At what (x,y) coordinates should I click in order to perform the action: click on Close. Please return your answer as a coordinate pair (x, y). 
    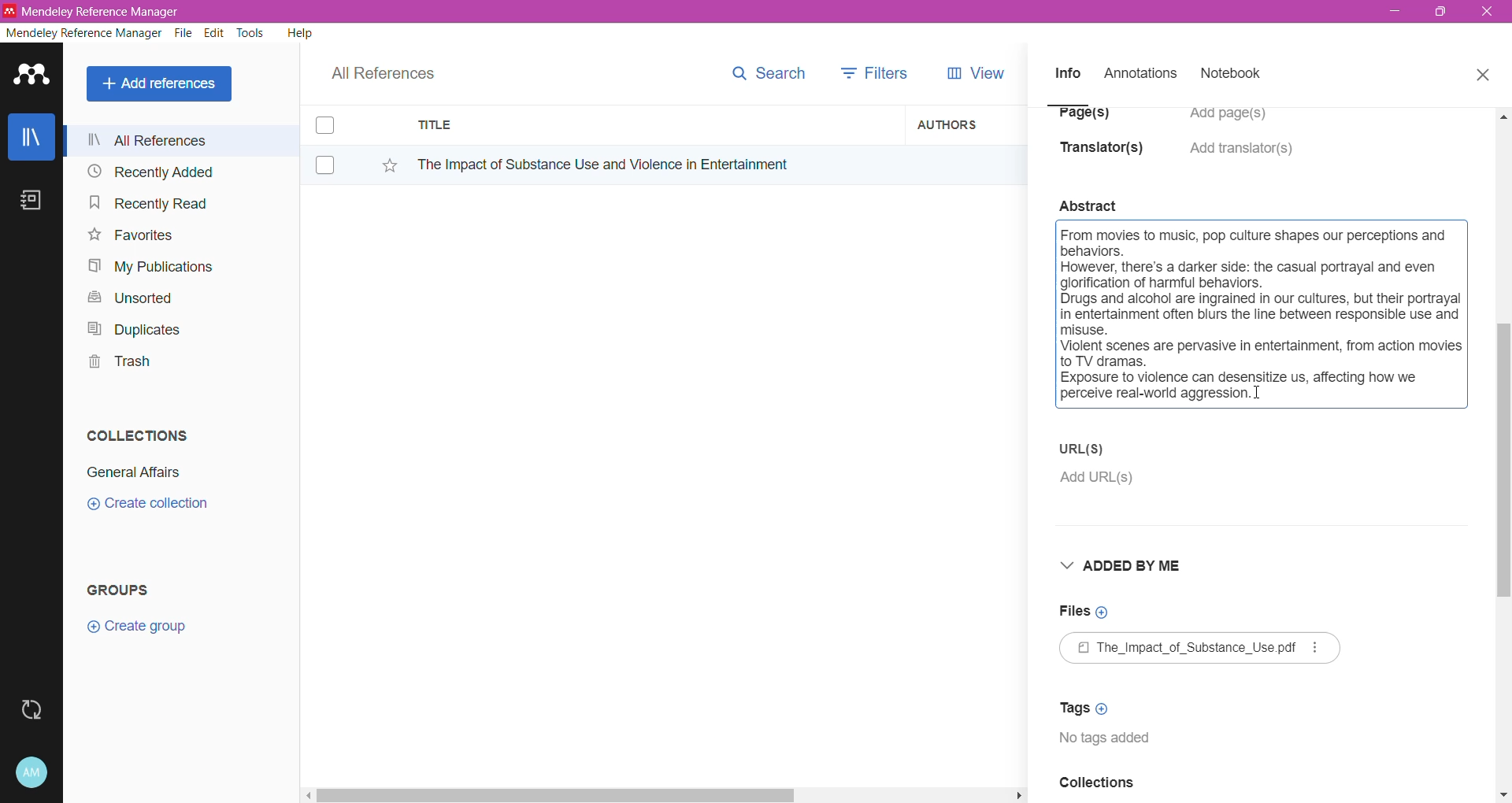
    Looking at the image, I should click on (1482, 72).